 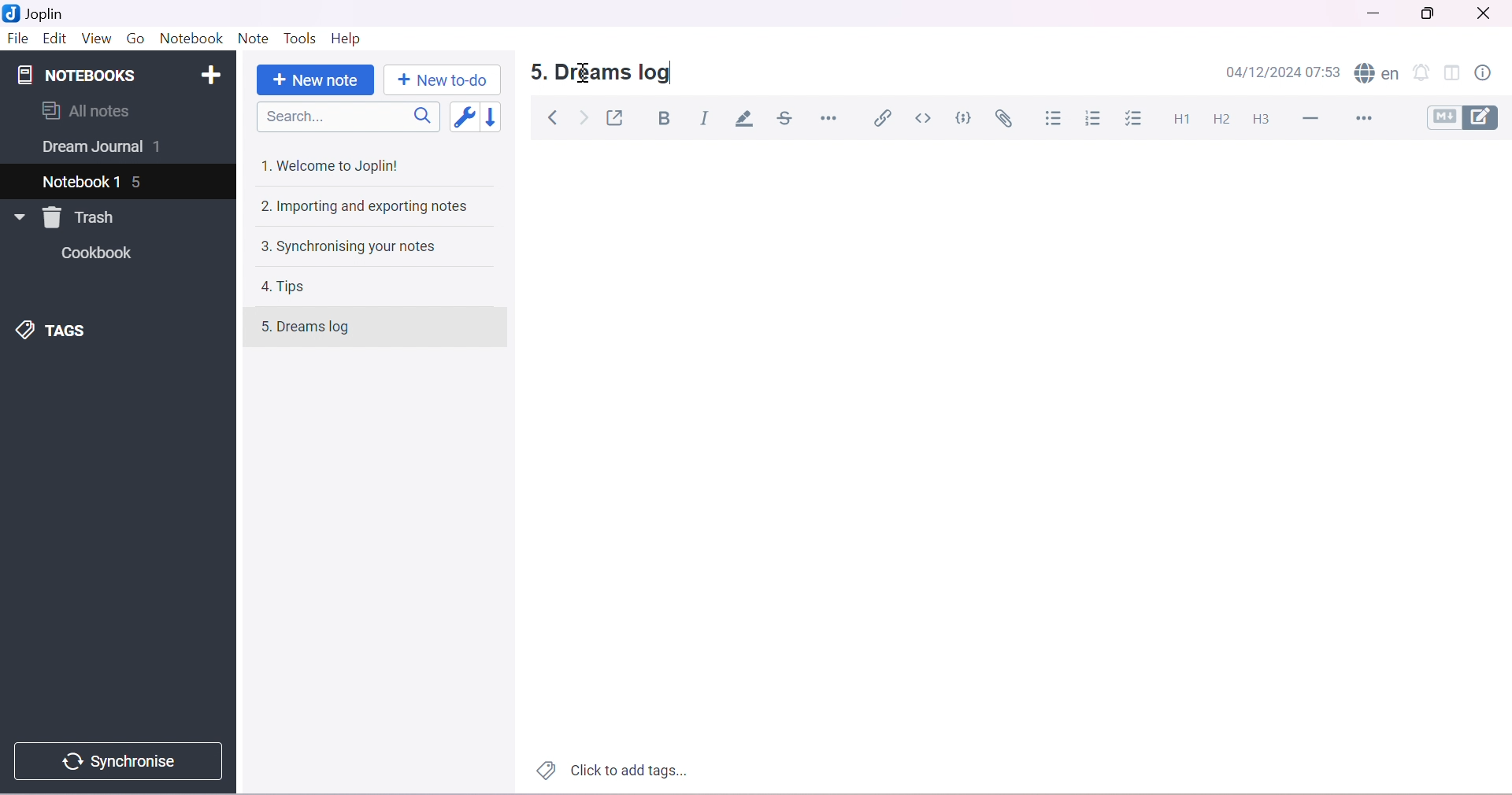 I want to click on Tools, so click(x=302, y=39).